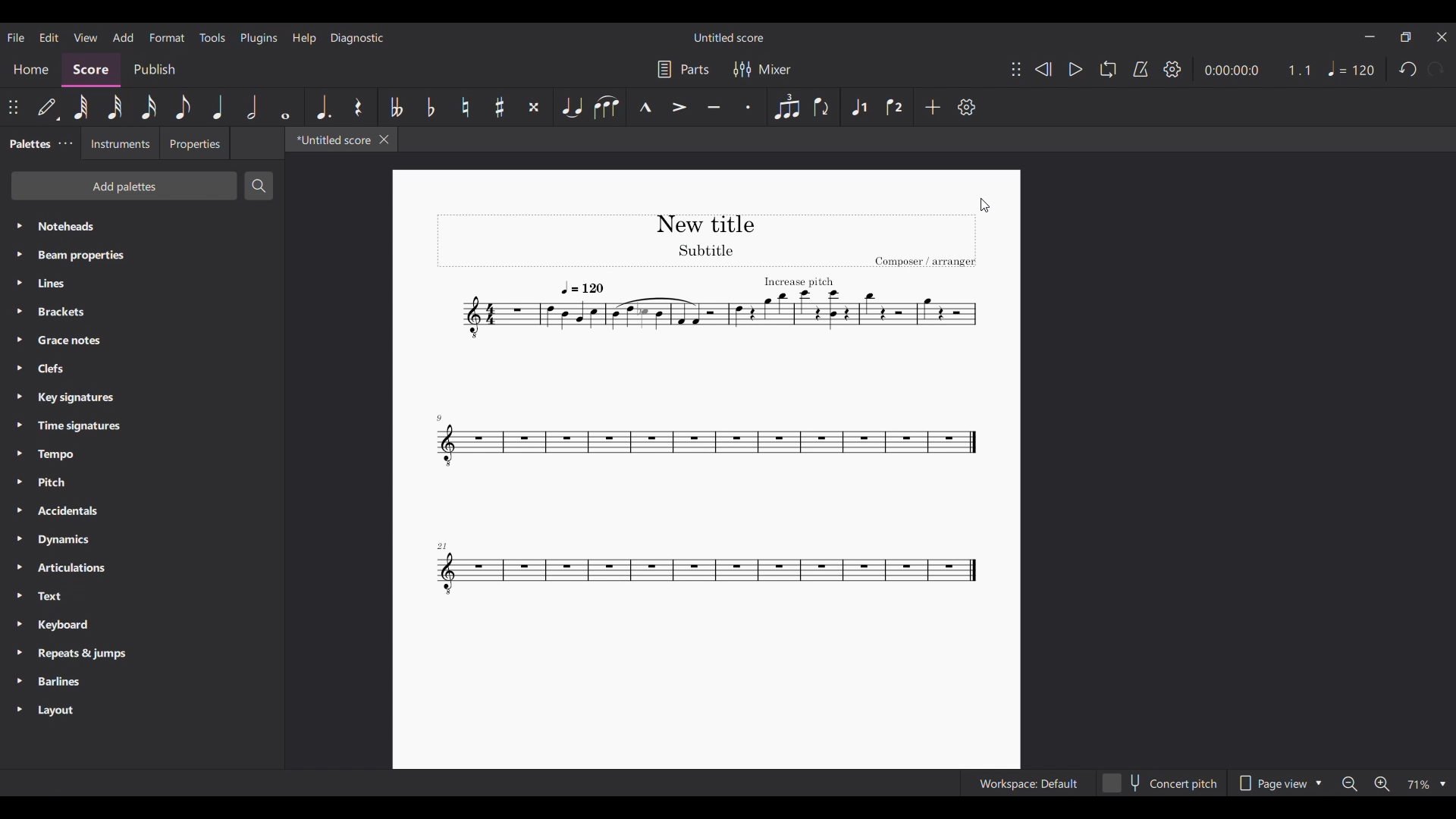  What do you see at coordinates (786, 107) in the screenshot?
I see `Tuplet` at bounding box center [786, 107].